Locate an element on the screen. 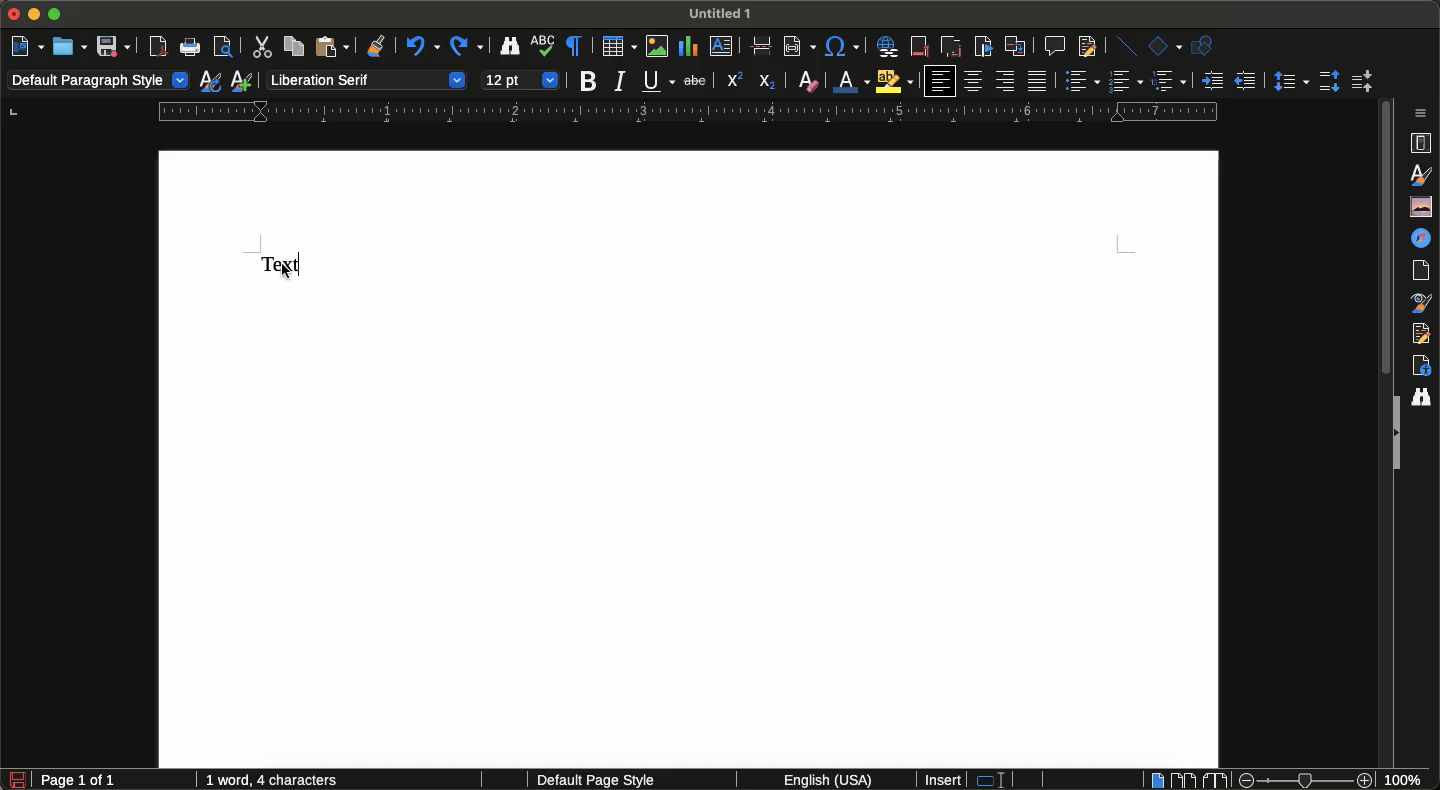  Center vertically  is located at coordinates (974, 81).